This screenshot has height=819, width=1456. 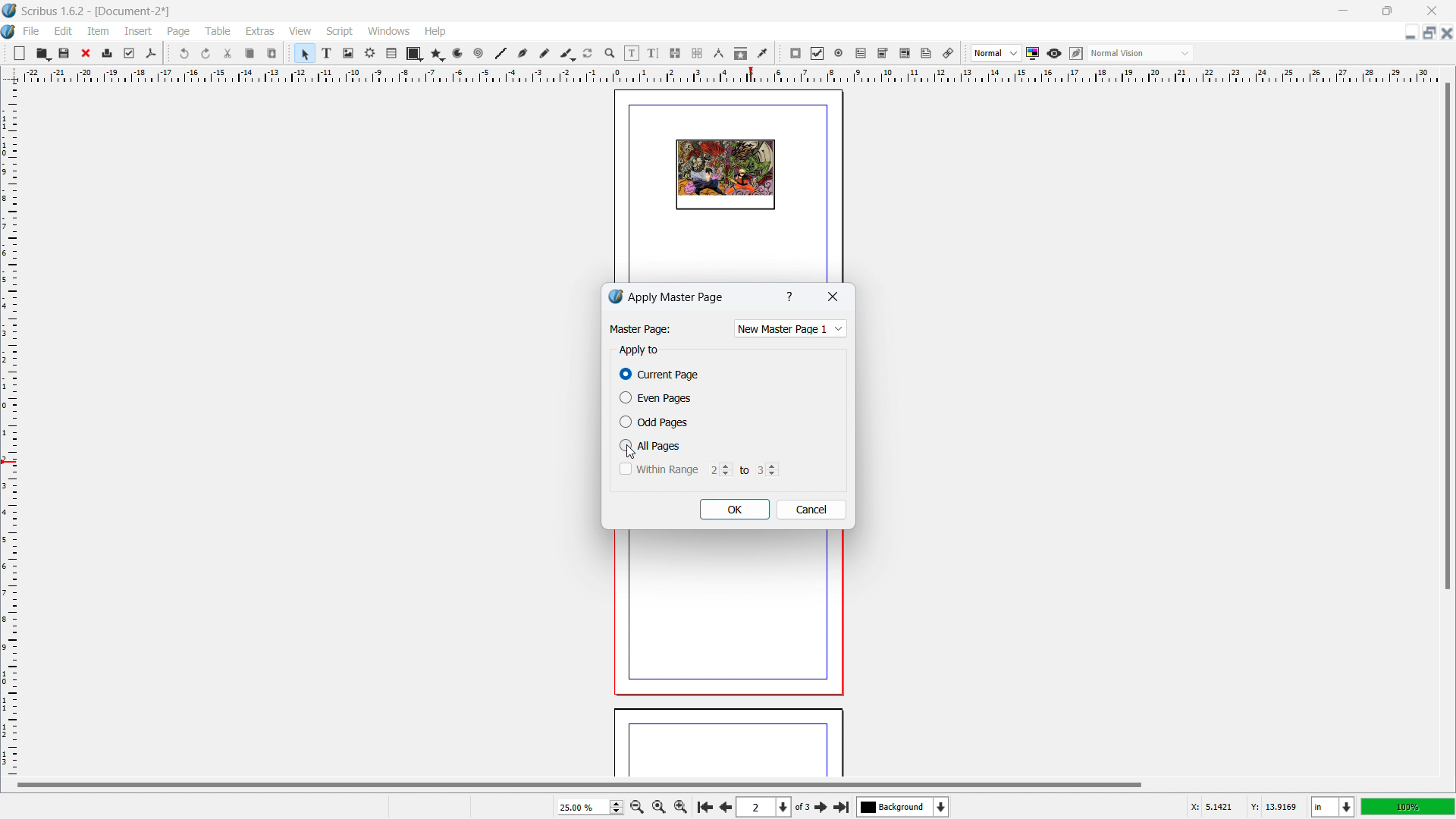 What do you see at coordinates (743, 468) in the screenshot?
I see `to` at bounding box center [743, 468].